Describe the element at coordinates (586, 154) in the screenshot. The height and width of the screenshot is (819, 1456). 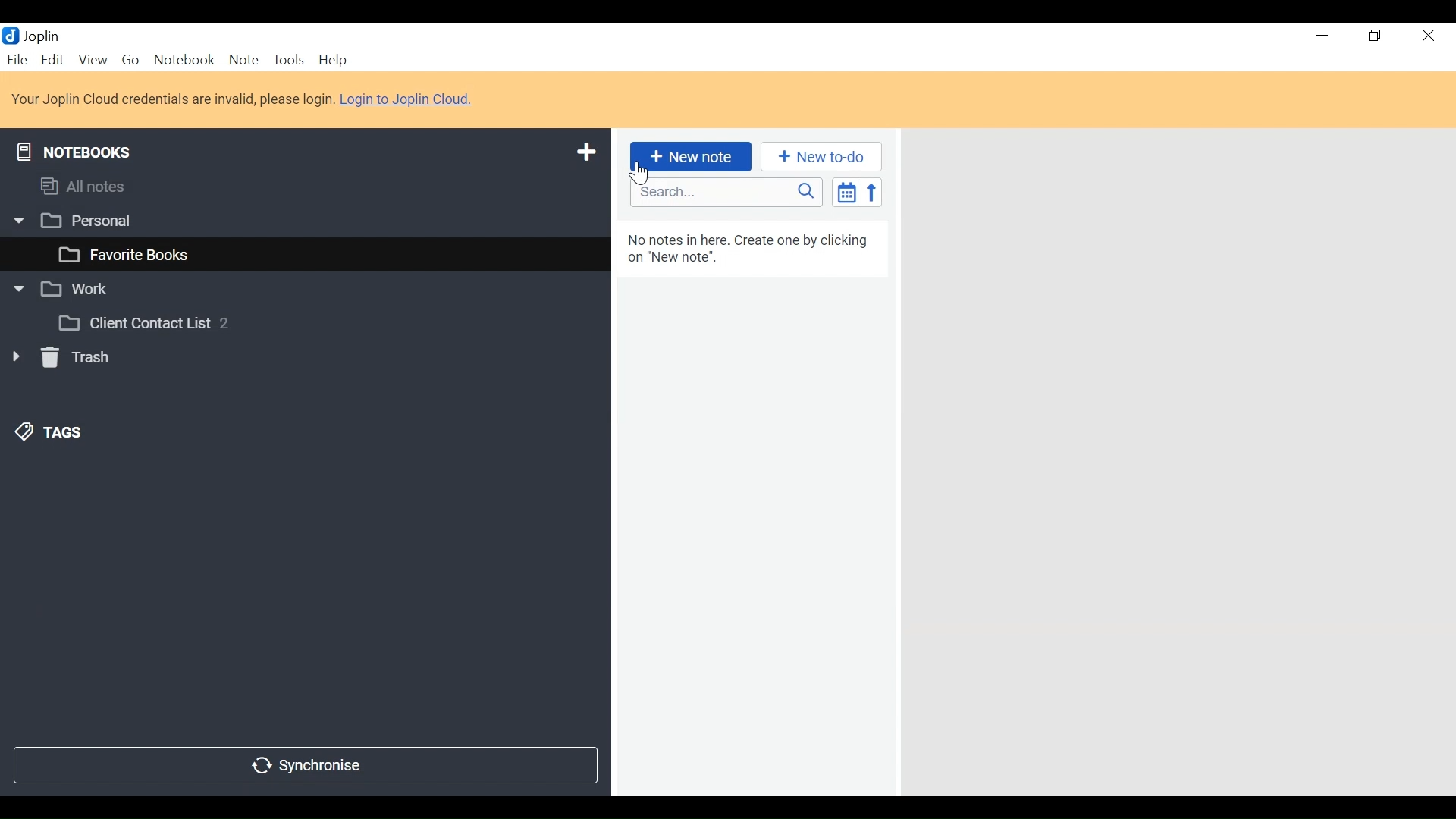
I see `Add new notebook` at that location.